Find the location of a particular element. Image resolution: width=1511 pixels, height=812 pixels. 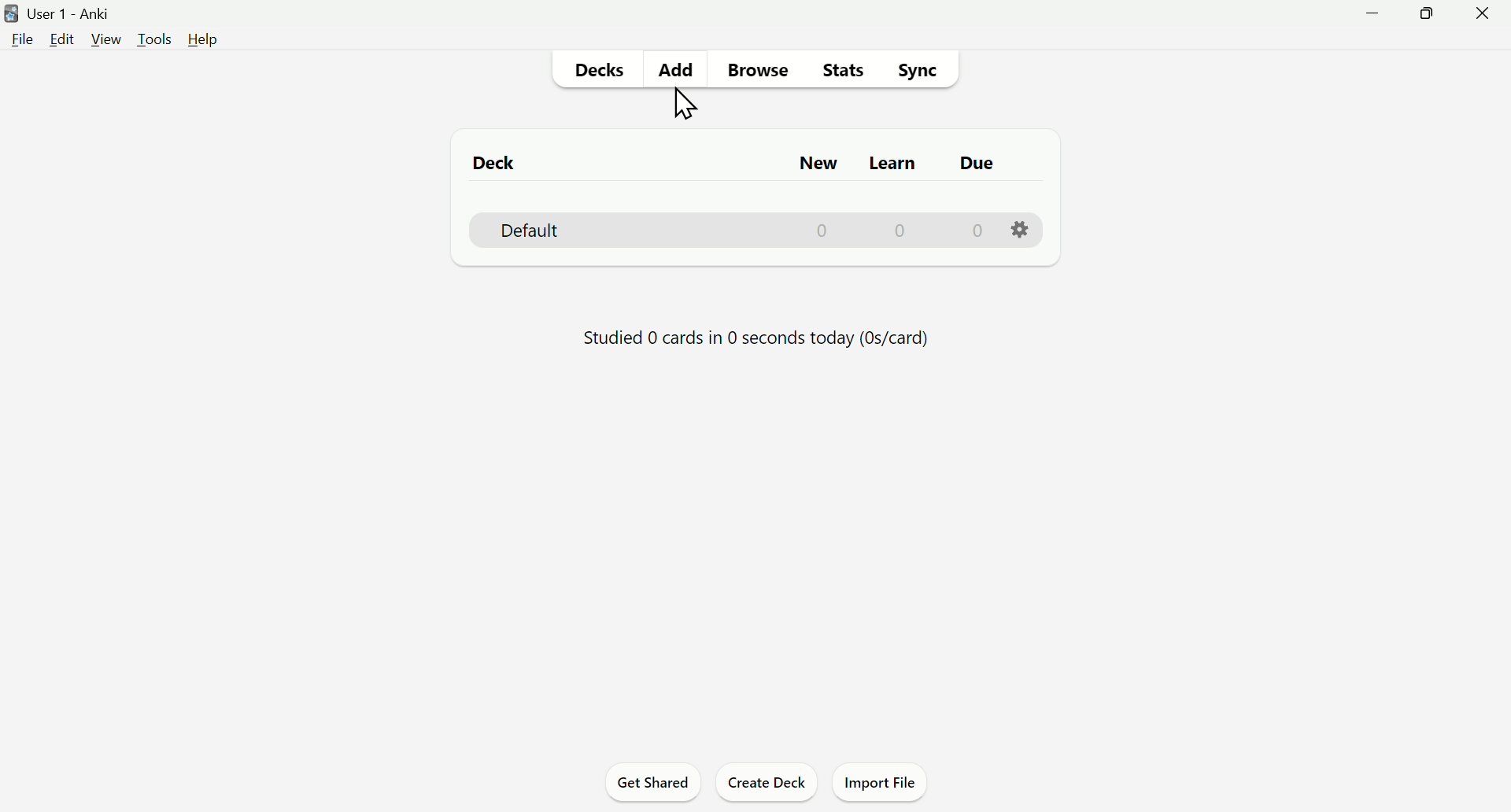

Stats is located at coordinates (843, 72).